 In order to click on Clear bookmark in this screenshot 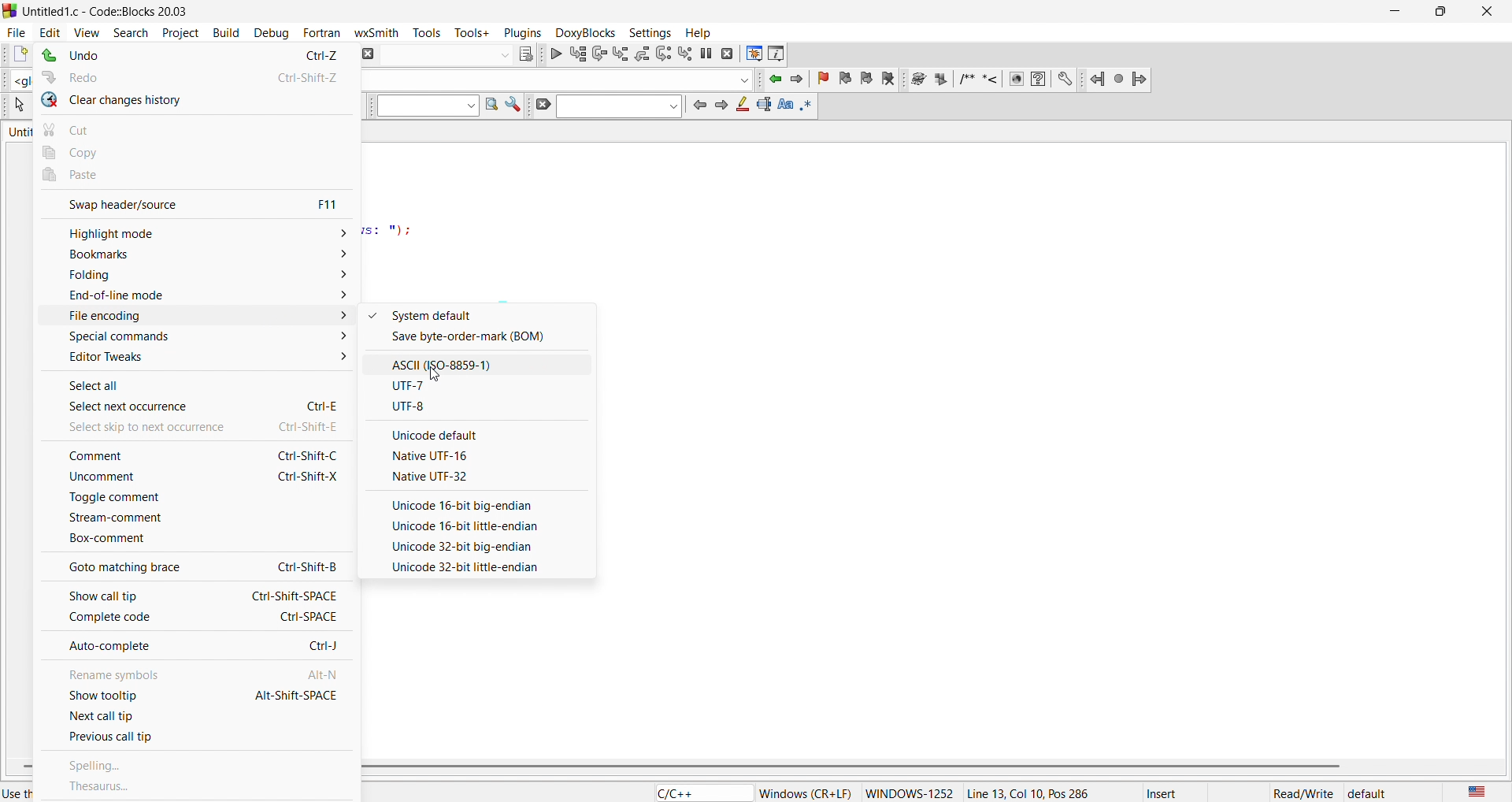, I will do `click(888, 80)`.